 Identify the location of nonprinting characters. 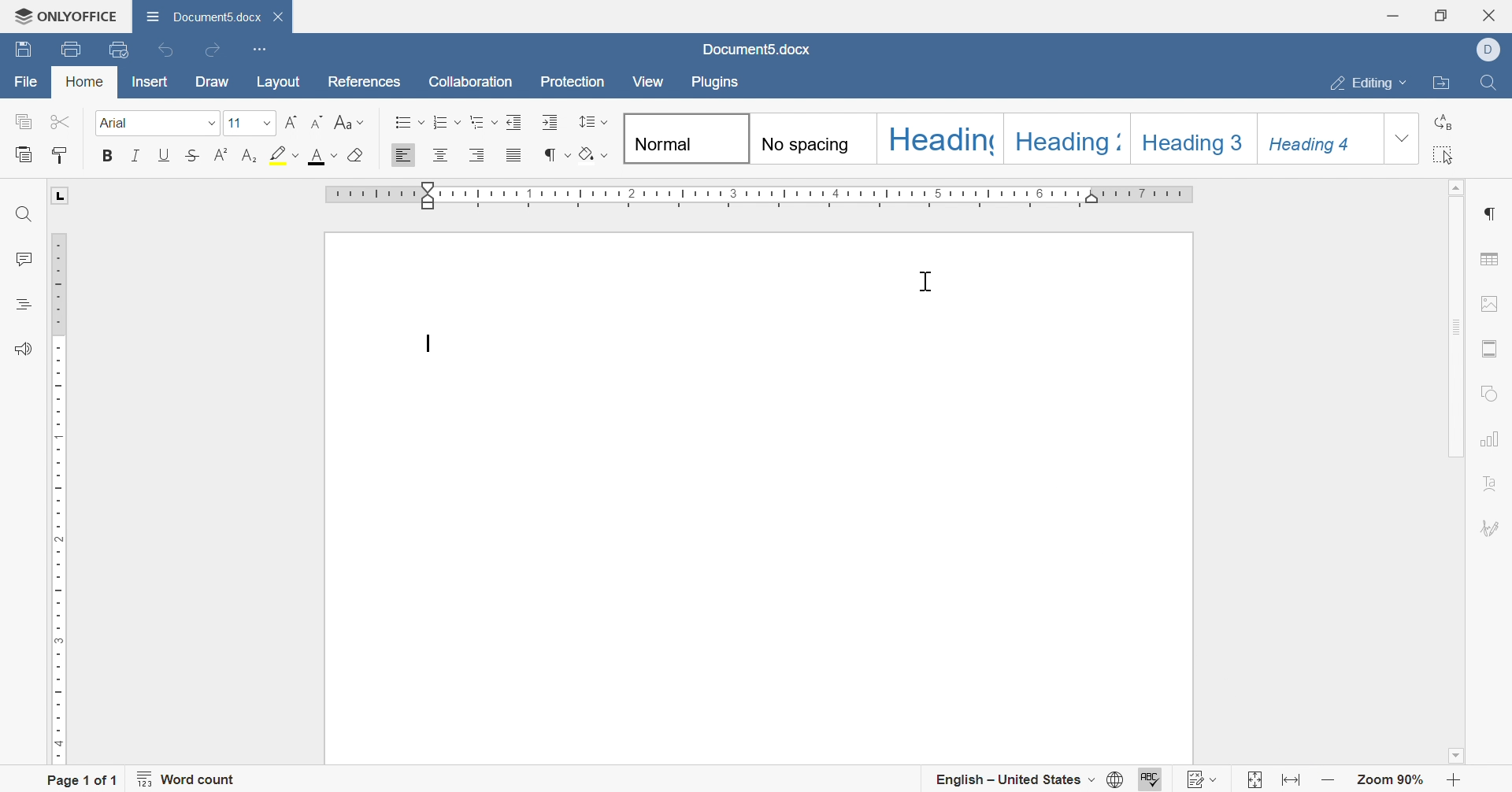
(556, 154).